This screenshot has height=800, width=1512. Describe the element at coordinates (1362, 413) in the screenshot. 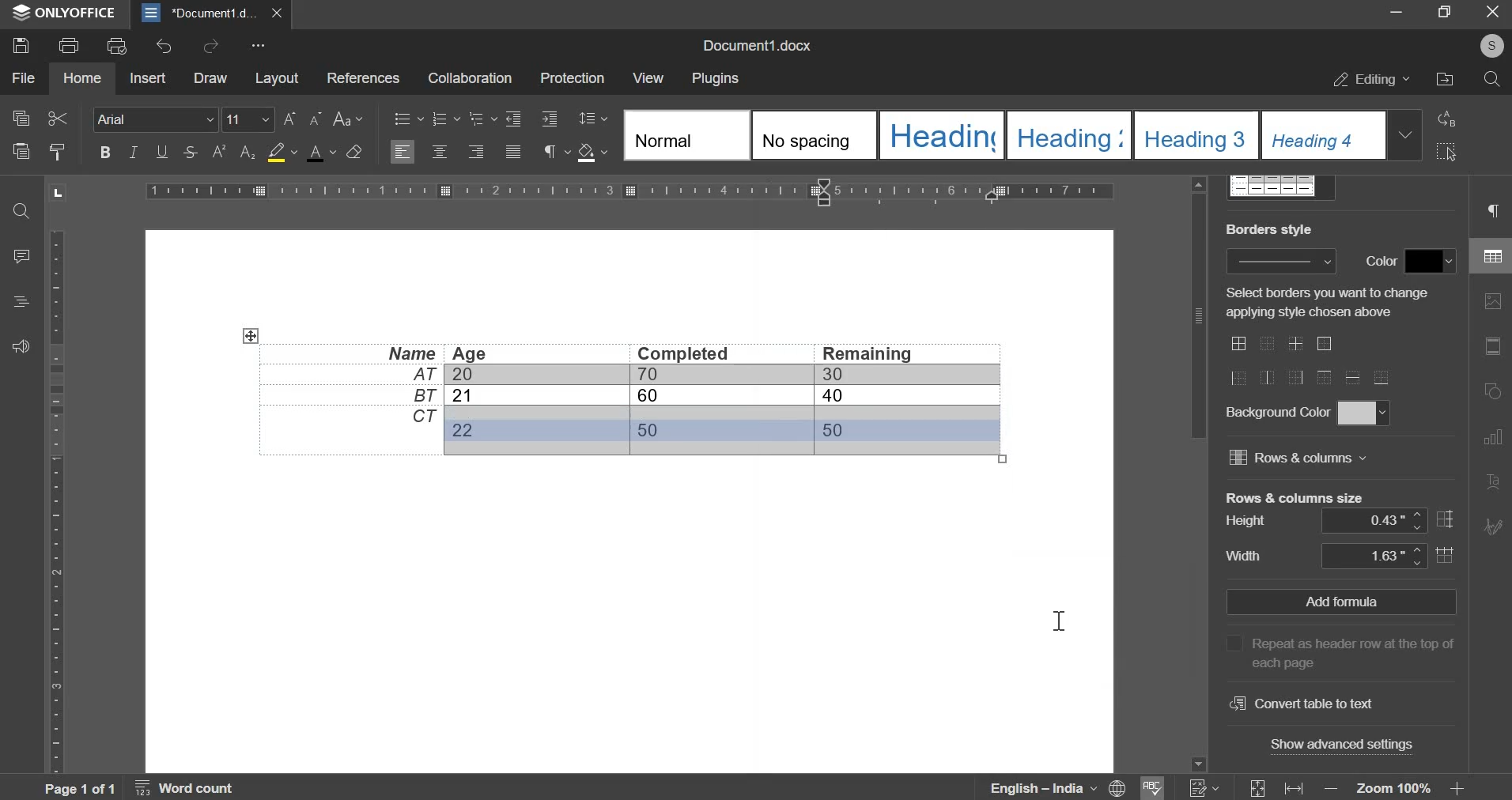

I see `background color` at that location.